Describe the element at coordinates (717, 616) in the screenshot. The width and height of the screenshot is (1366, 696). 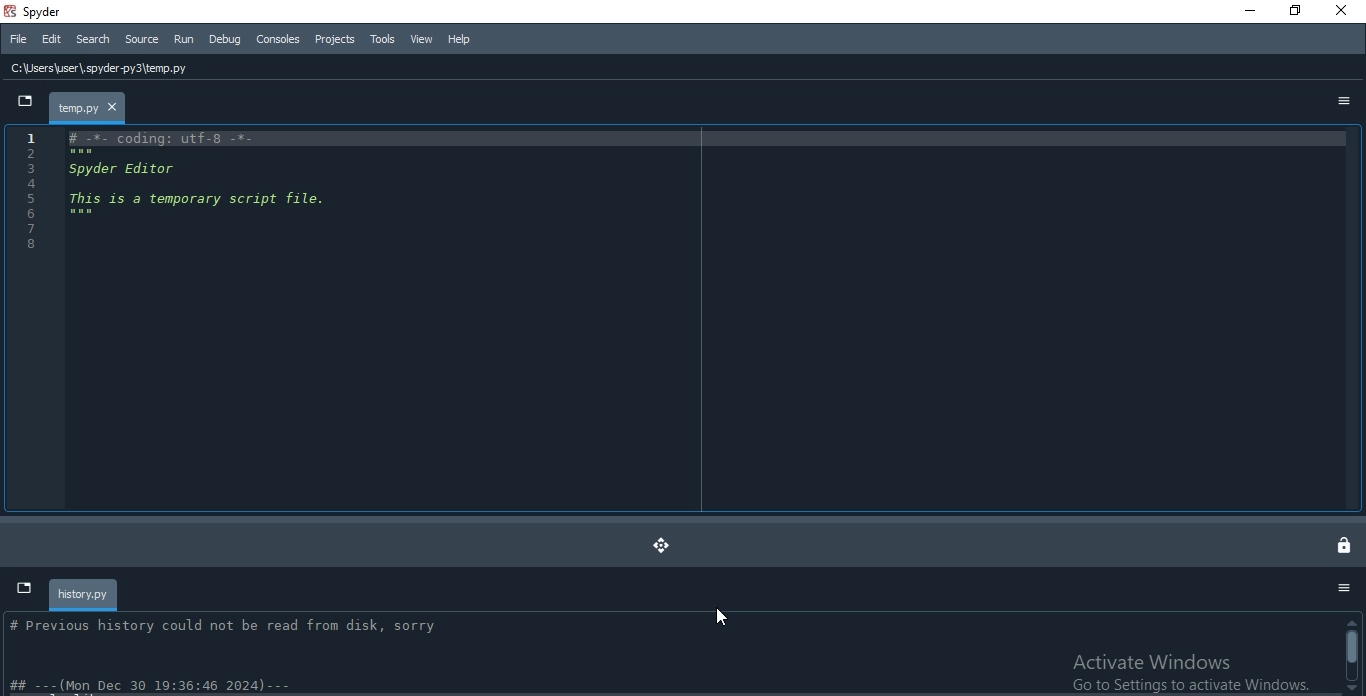
I see `cursor` at that location.